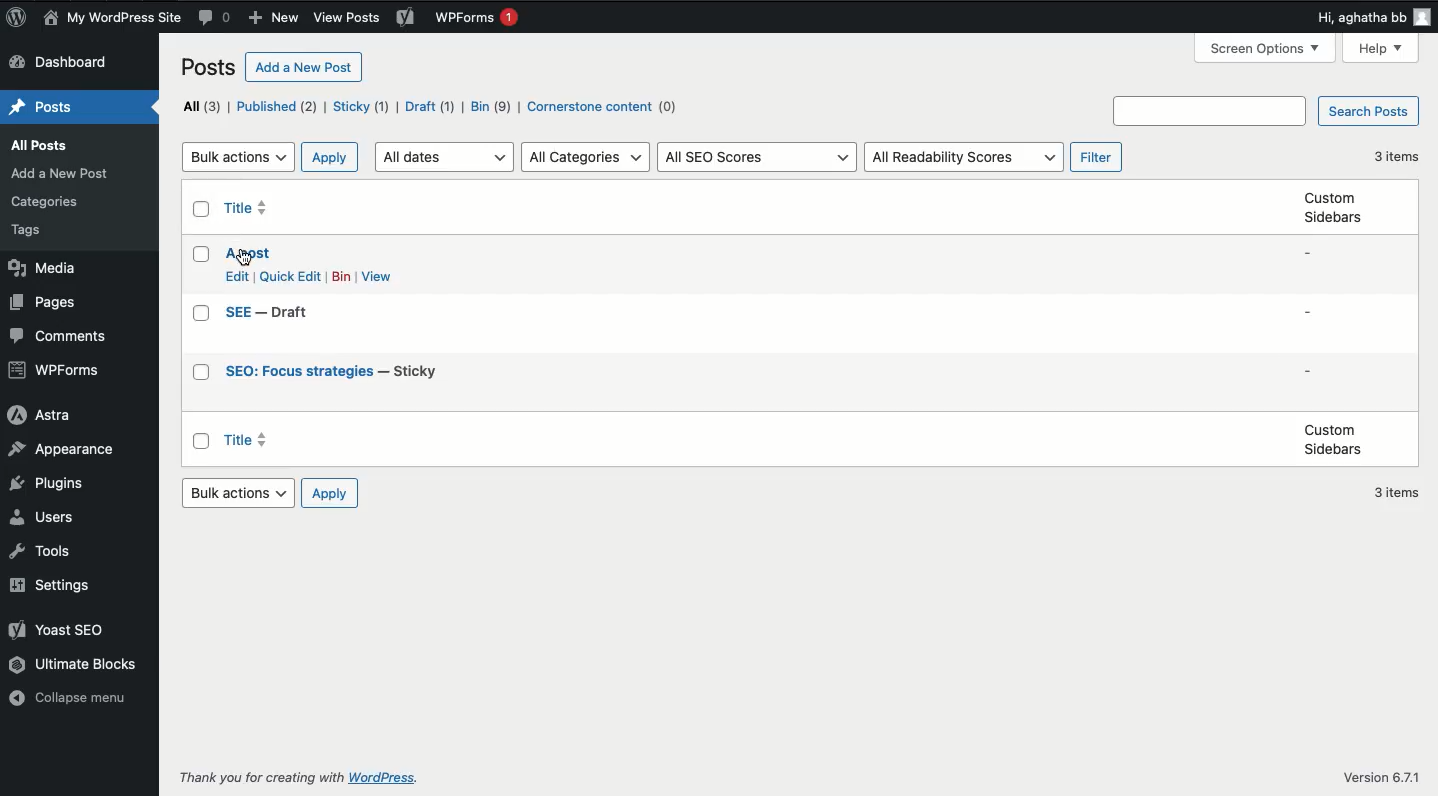  I want to click on Custom sidebars, so click(1332, 212).